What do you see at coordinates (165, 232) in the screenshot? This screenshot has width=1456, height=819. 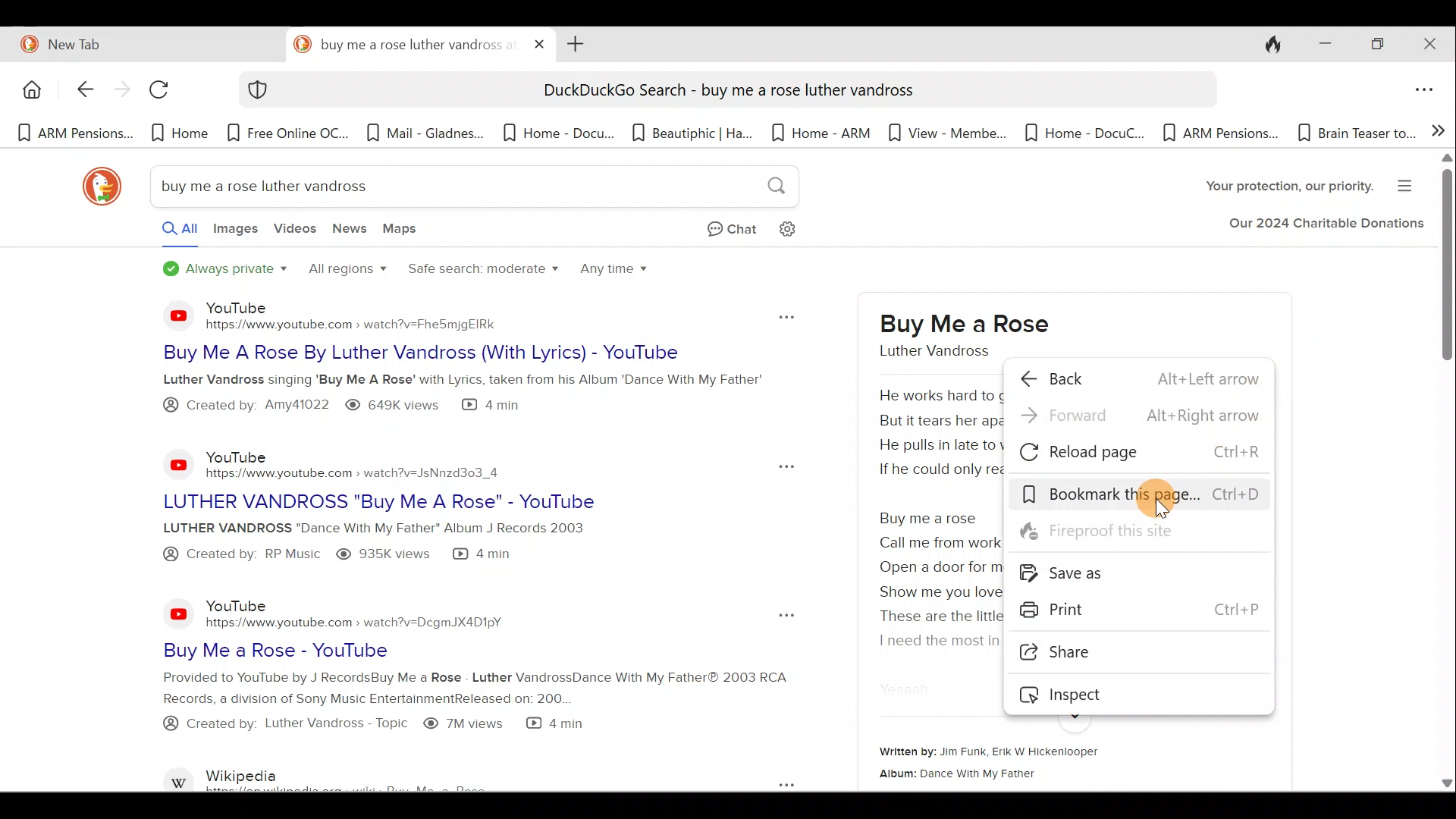 I see `All` at bounding box center [165, 232].